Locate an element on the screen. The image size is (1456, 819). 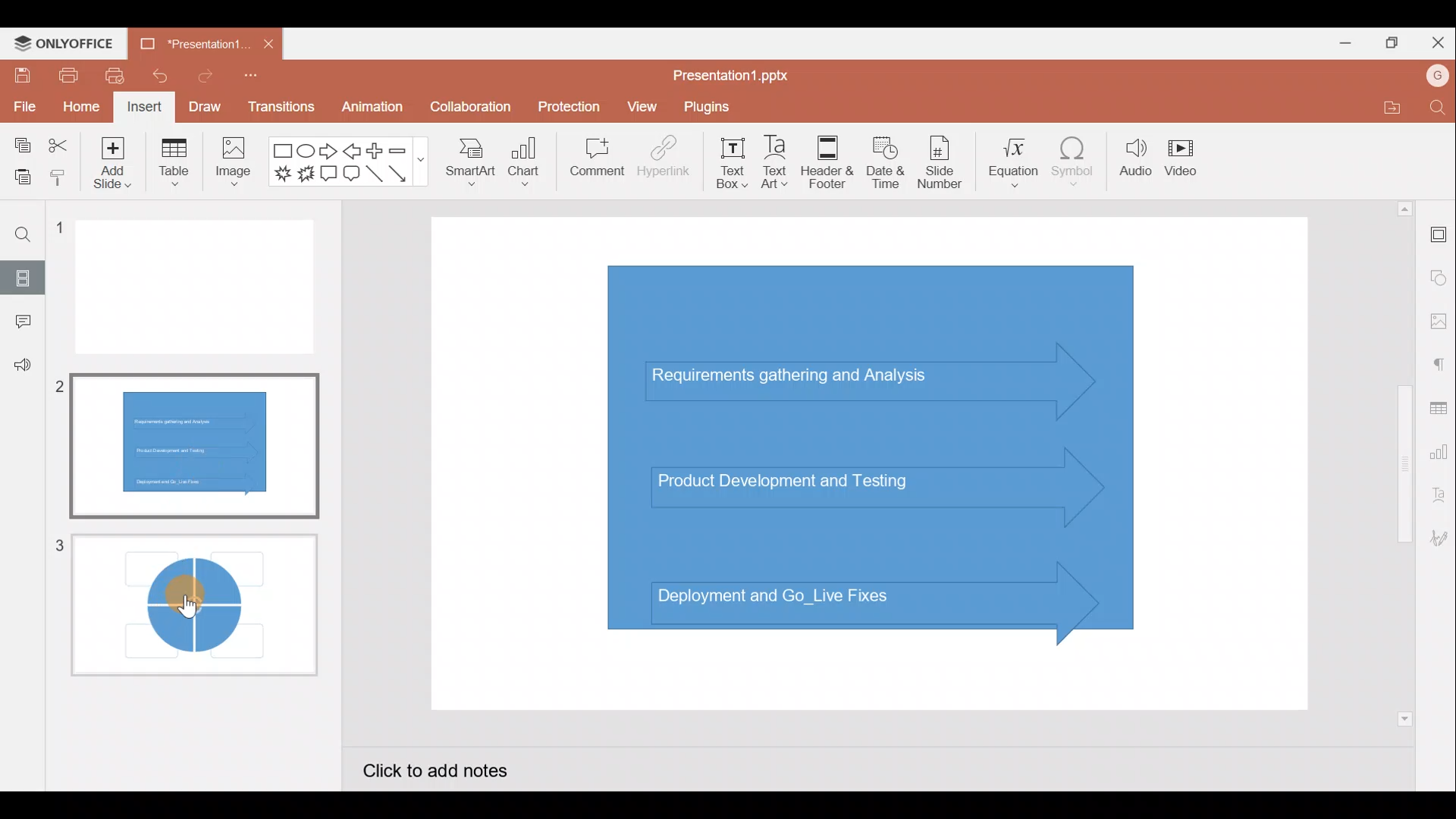
Animation is located at coordinates (369, 106).